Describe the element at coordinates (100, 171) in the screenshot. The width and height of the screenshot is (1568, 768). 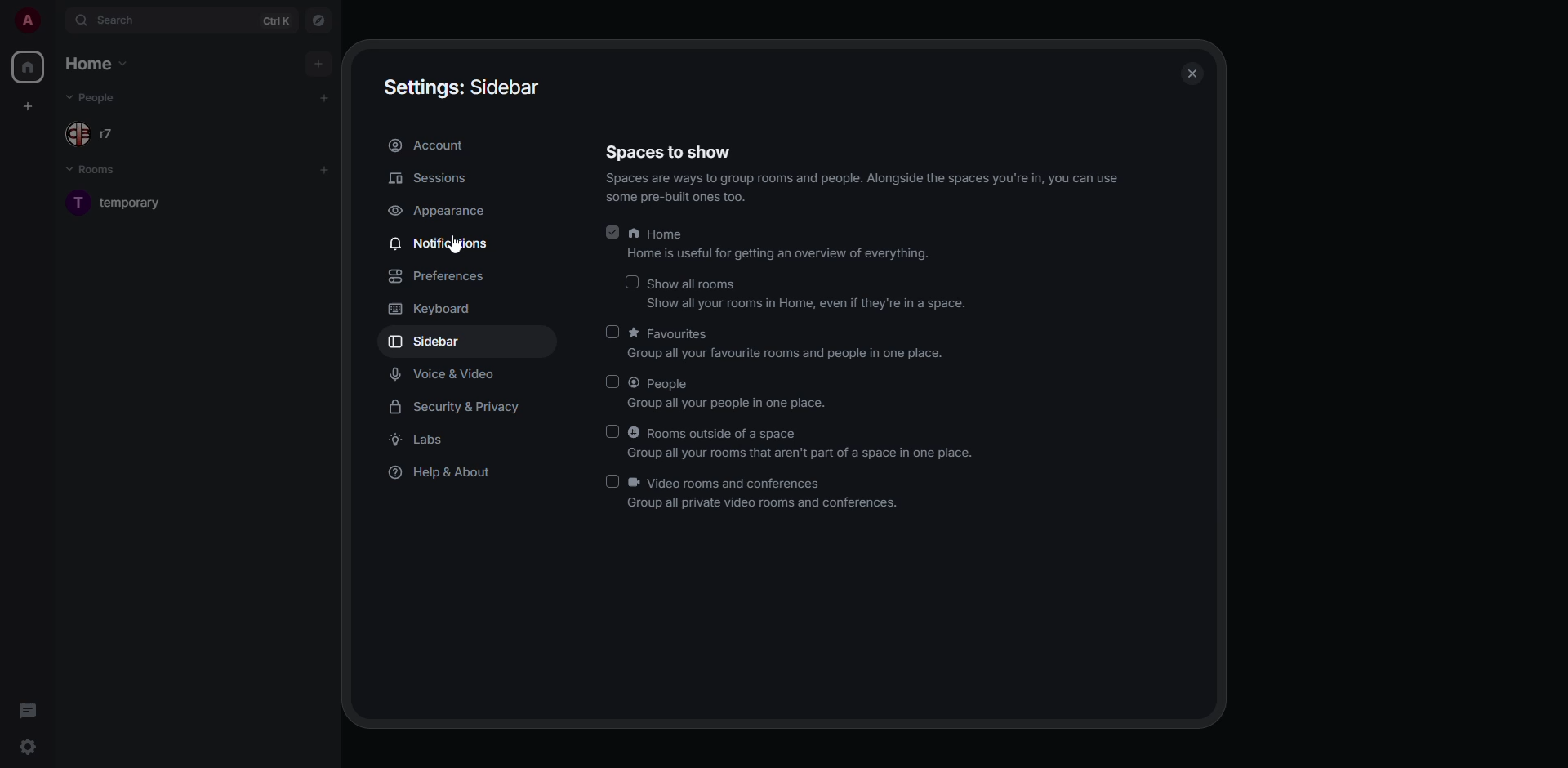
I see `rooms` at that location.